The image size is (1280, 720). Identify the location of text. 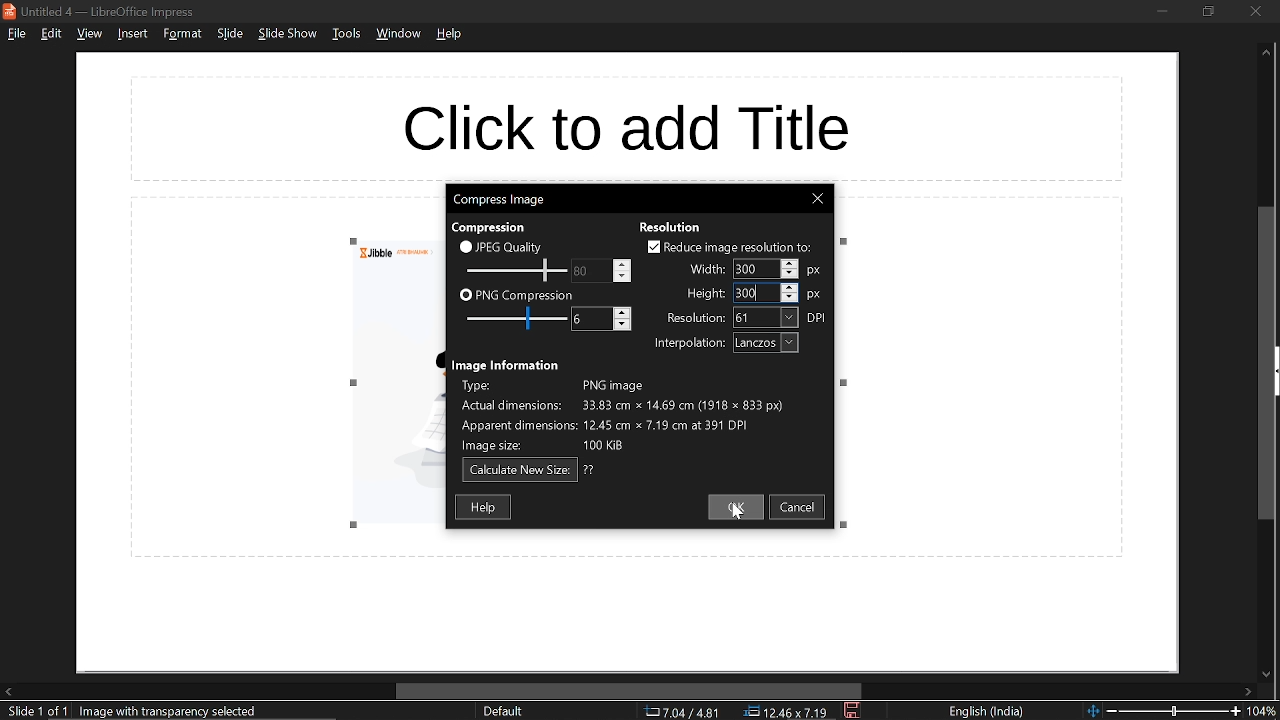
(707, 267).